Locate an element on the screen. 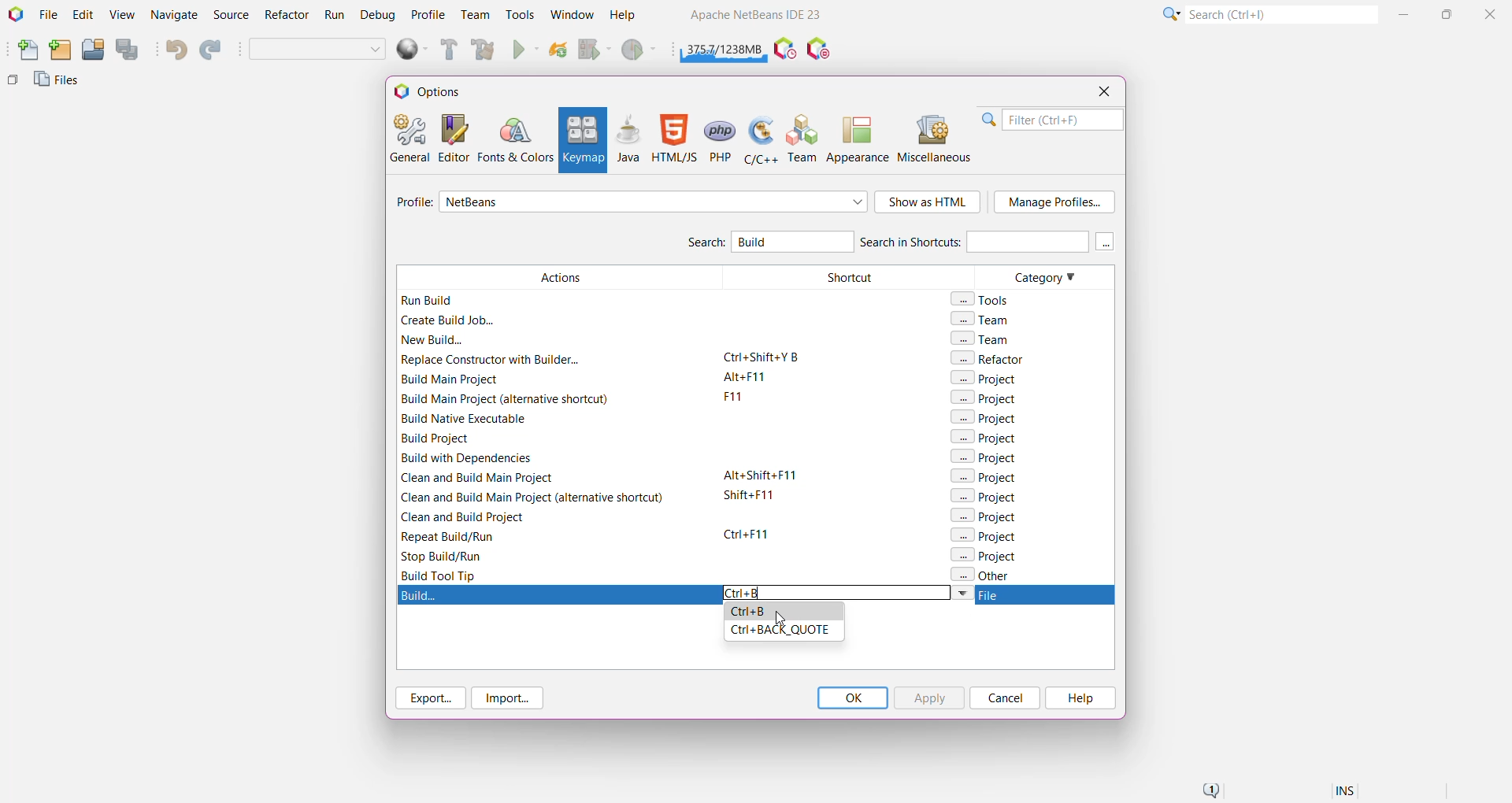 This screenshot has height=803, width=1512. Maximize is located at coordinates (1449, 13).